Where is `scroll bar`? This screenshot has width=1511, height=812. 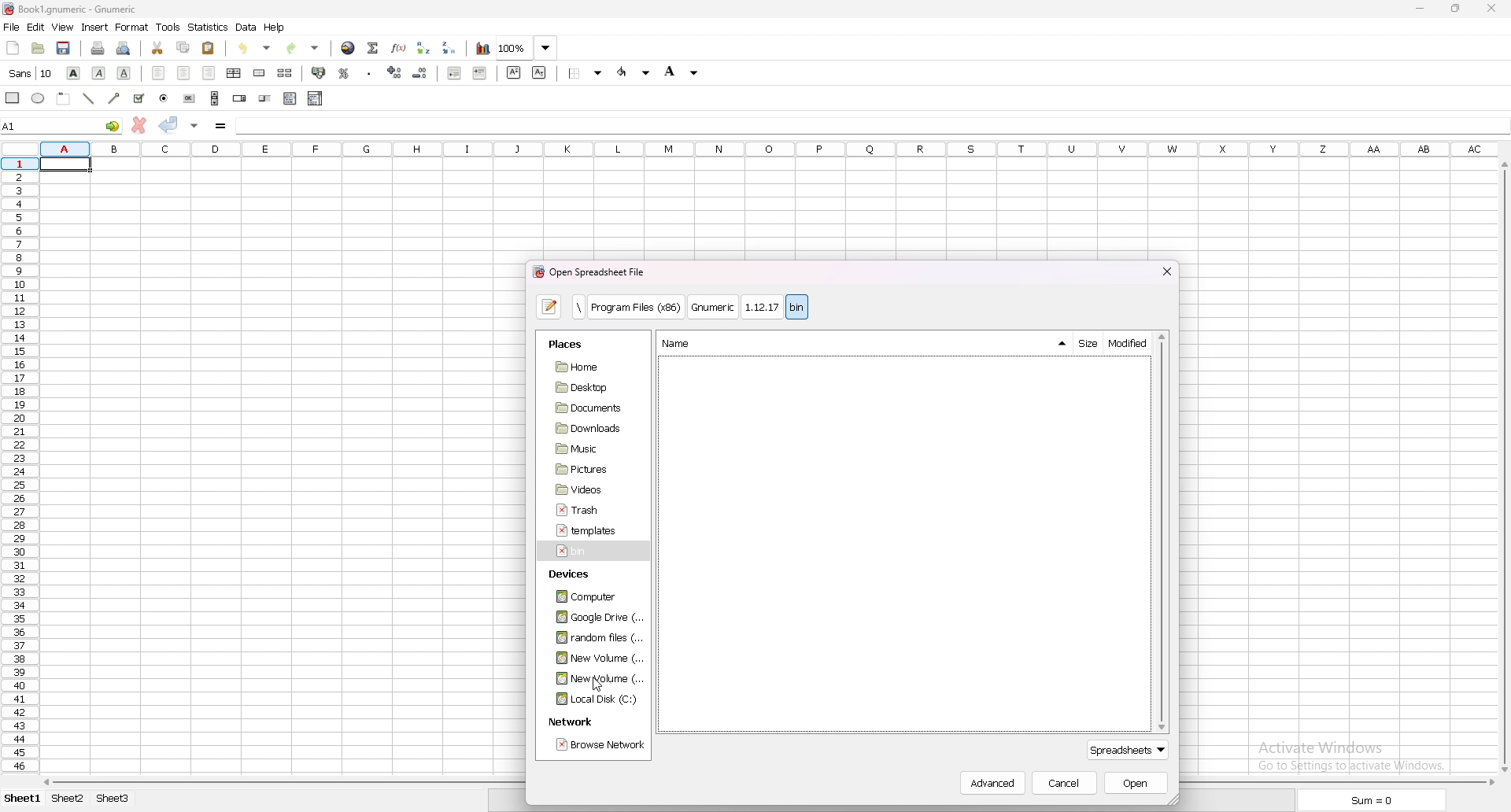
scroll bar is located at coordinates (1162, 533).